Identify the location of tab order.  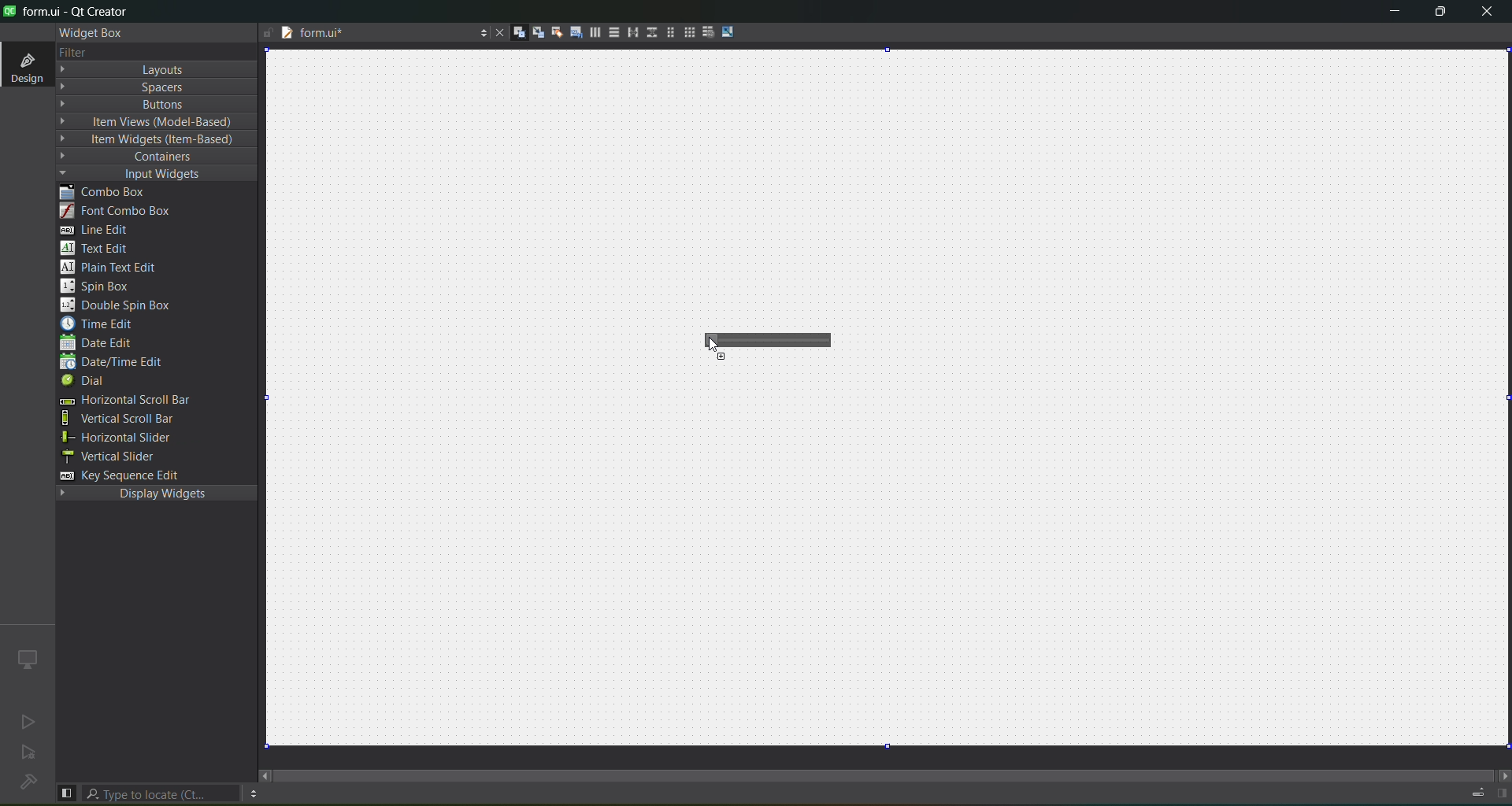
(571, 32).